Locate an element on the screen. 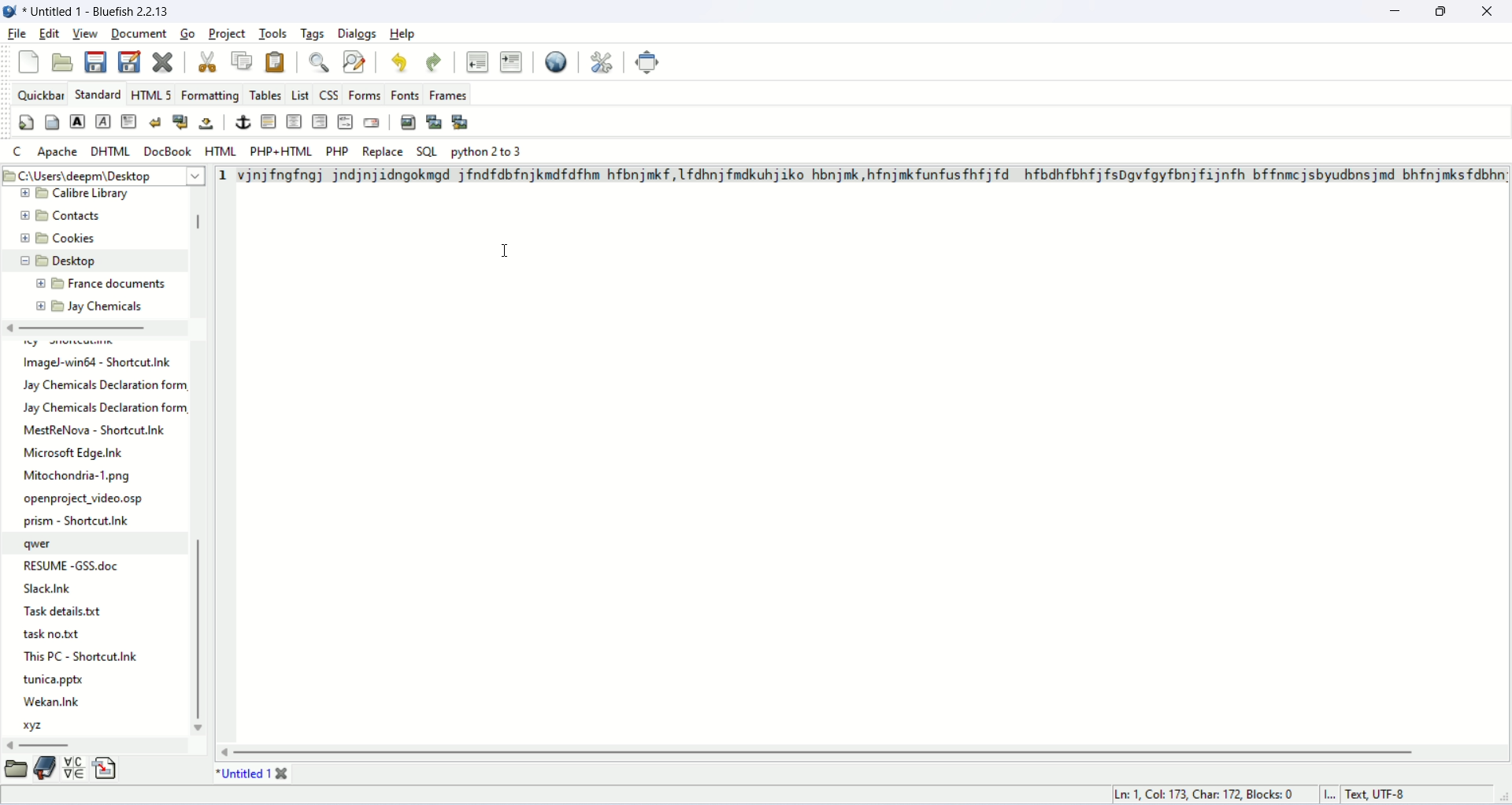 This screenshot has height=805, width=1512. advance find and replace is located at coordinates (355, 61).